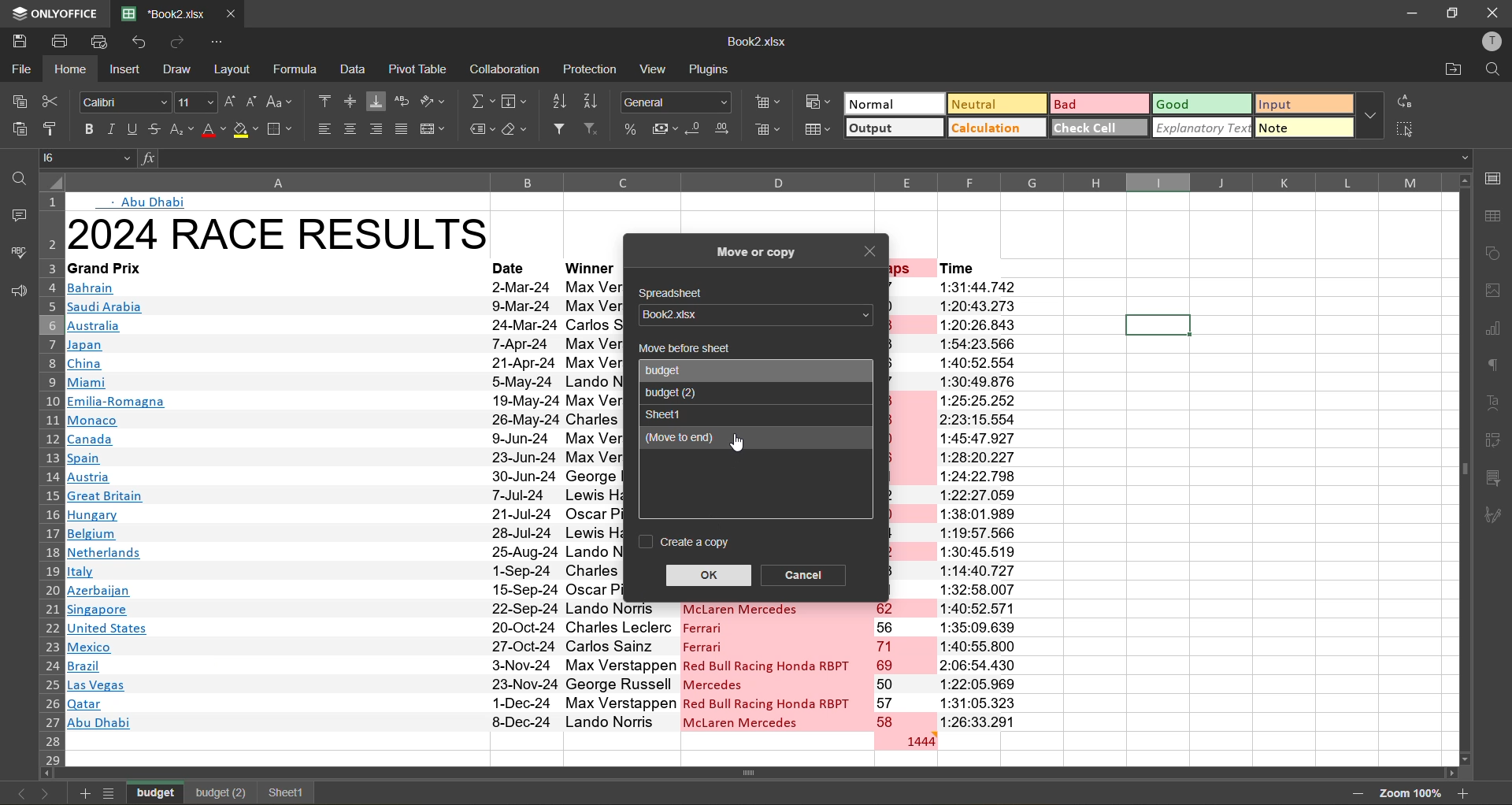 The width and height of the screenshot is (1512, 805). Describe the element at coordinates (65, 42) in the screenshot. I see `print` at that location.